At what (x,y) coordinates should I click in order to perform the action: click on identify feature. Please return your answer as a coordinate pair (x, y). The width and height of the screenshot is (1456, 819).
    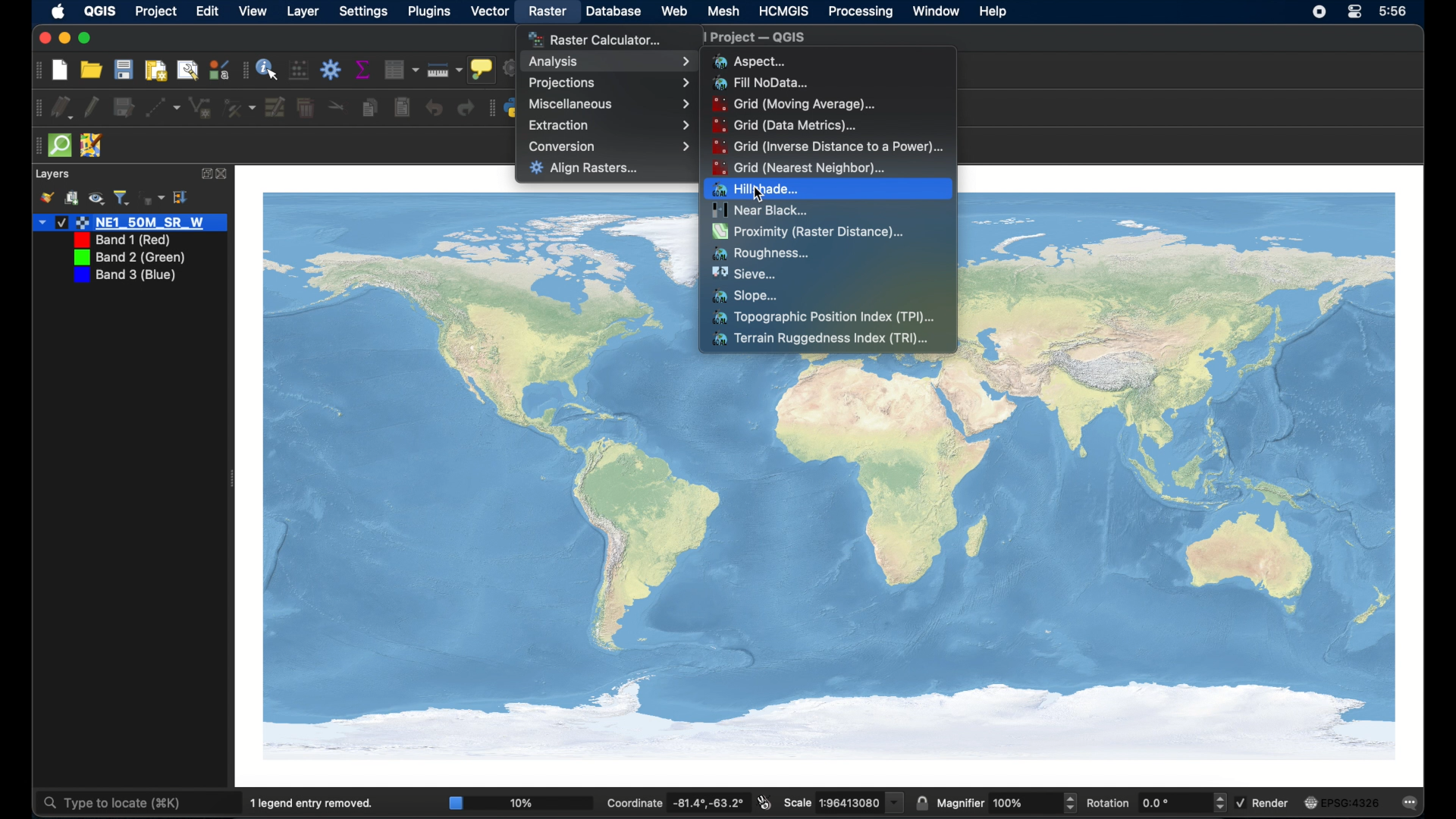
    Looking at the image, I should click on (268, 69).